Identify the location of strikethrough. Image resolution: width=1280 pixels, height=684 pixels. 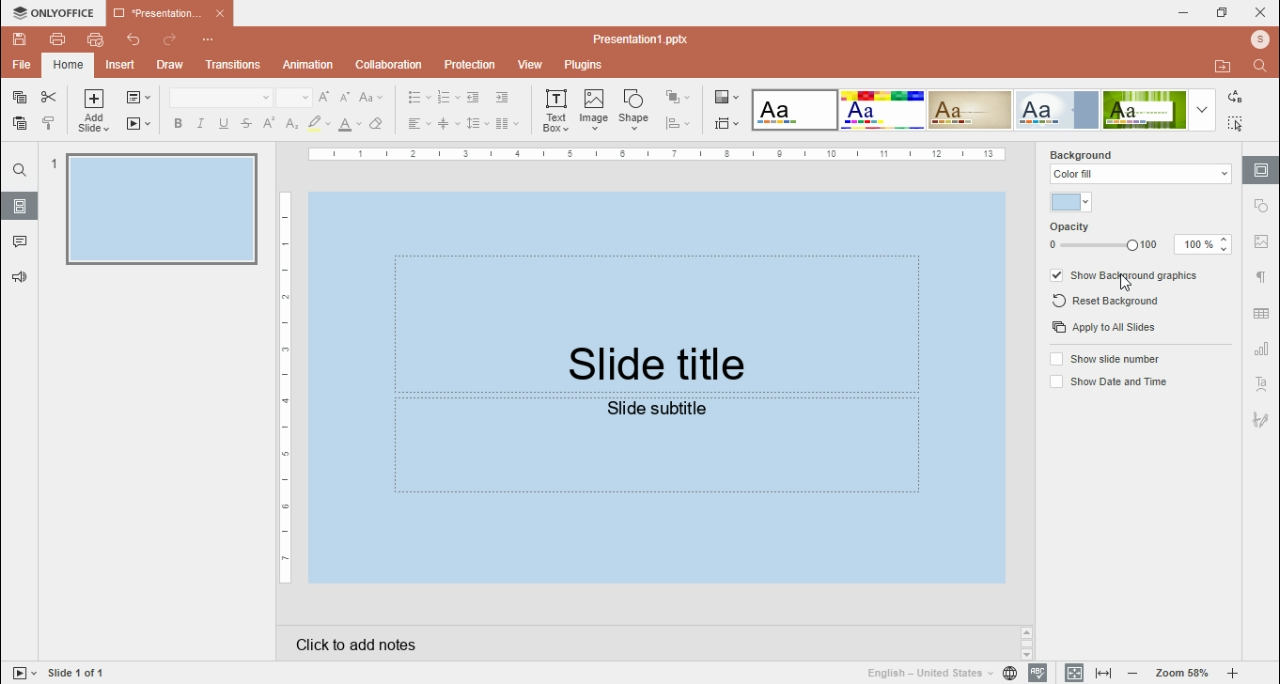
(246, 123).